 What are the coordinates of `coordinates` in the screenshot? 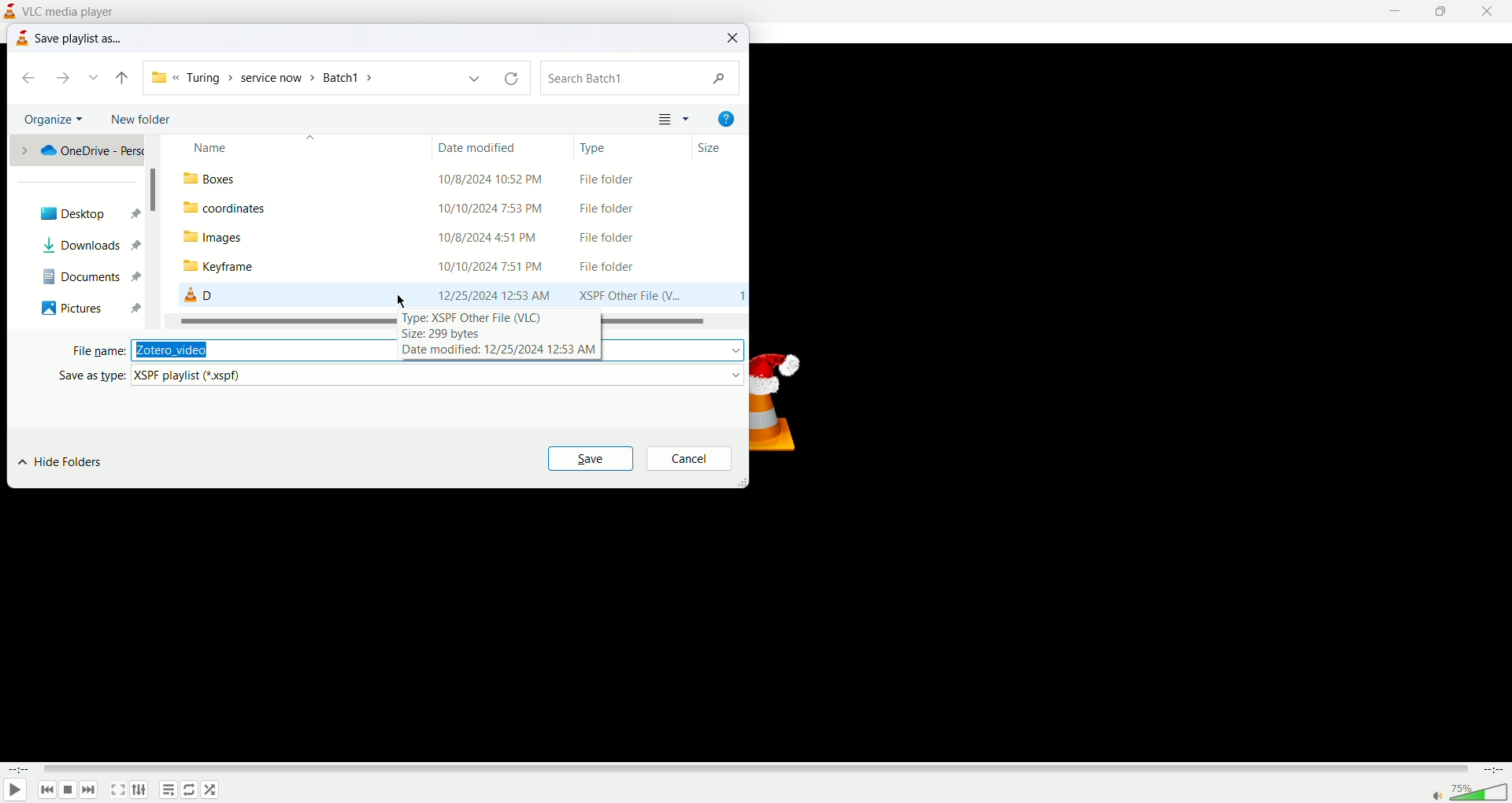 It's located at (228, 208).